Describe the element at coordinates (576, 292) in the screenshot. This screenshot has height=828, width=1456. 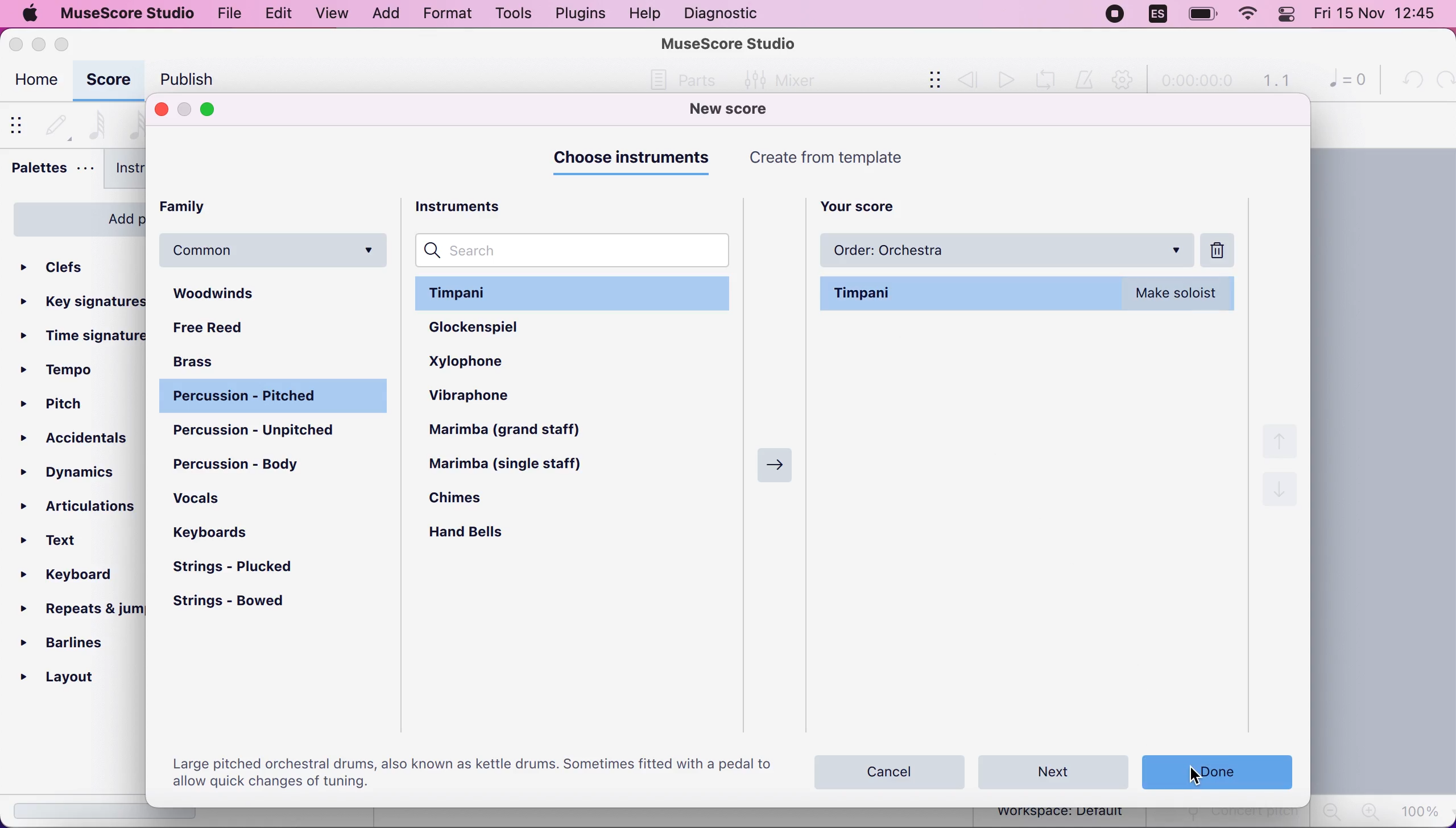
I see `timpani` at that location.